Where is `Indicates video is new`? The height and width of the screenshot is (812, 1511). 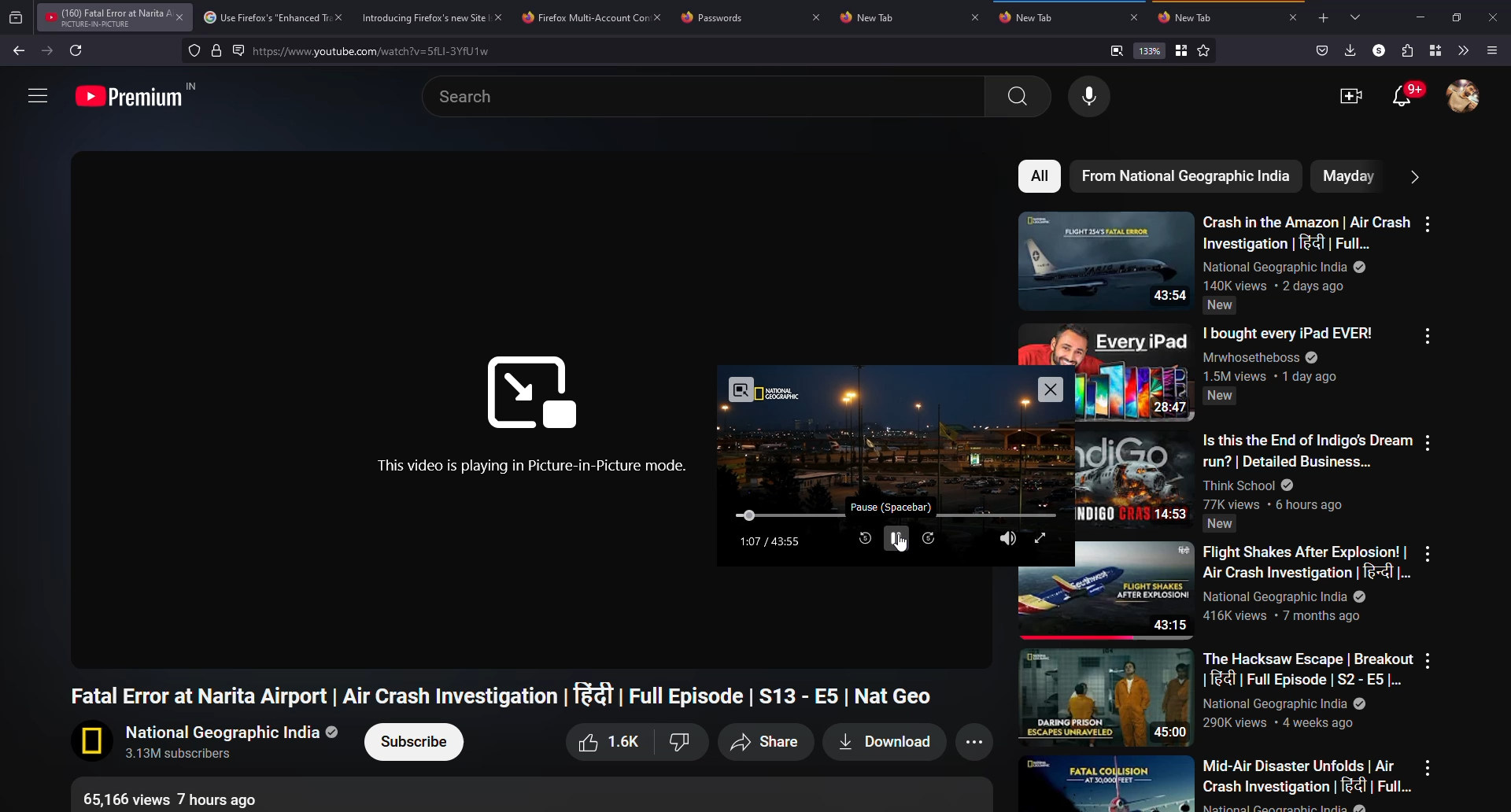 Indicates video is new is located at coordinates (1220, 396).